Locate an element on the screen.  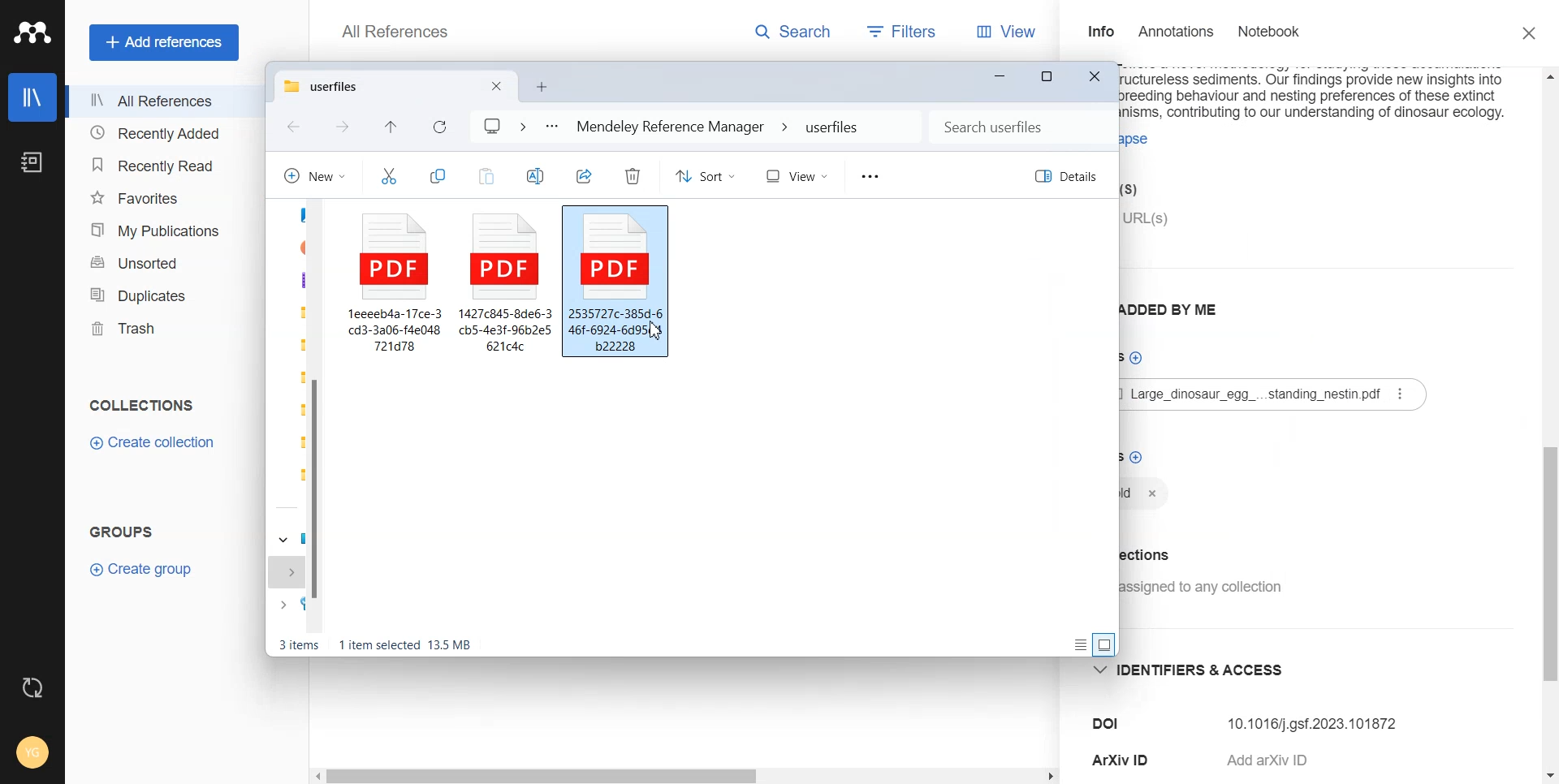
Recently Read is located at coordinates (166, 162).